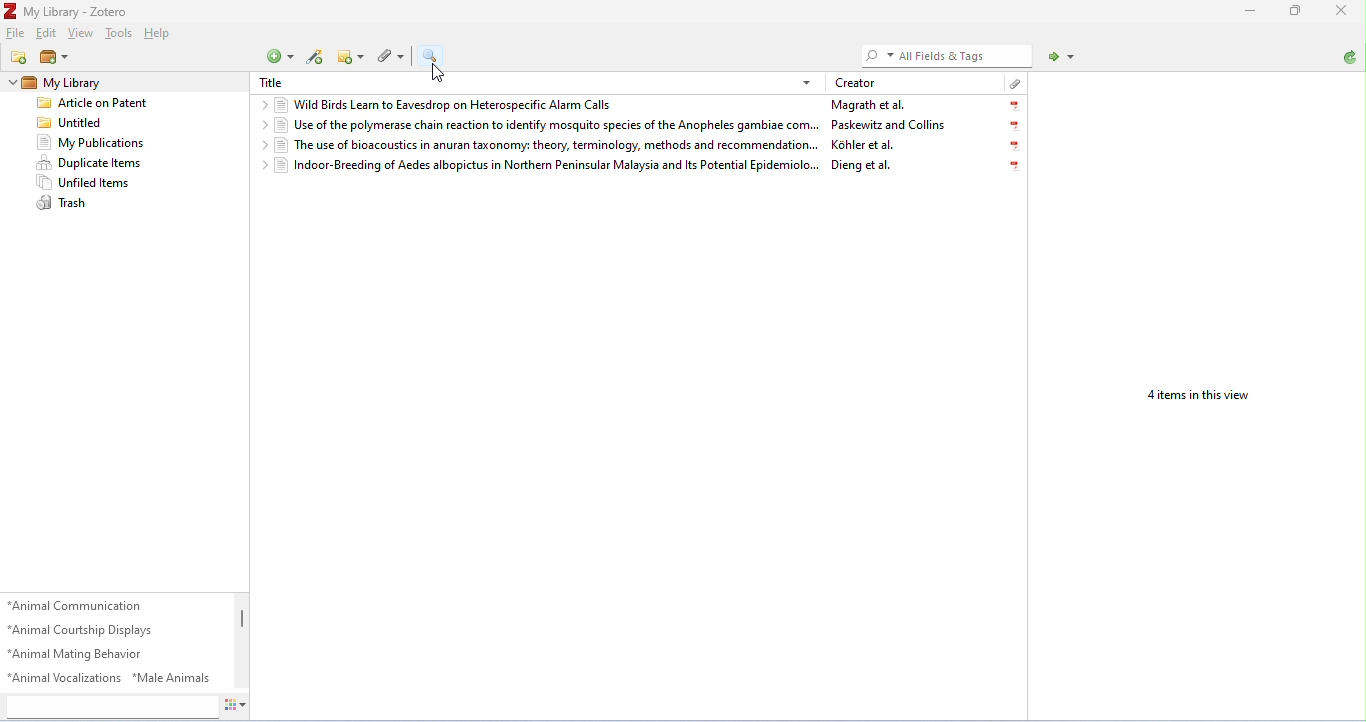  I want to click on drop-down, so click(262, 126).